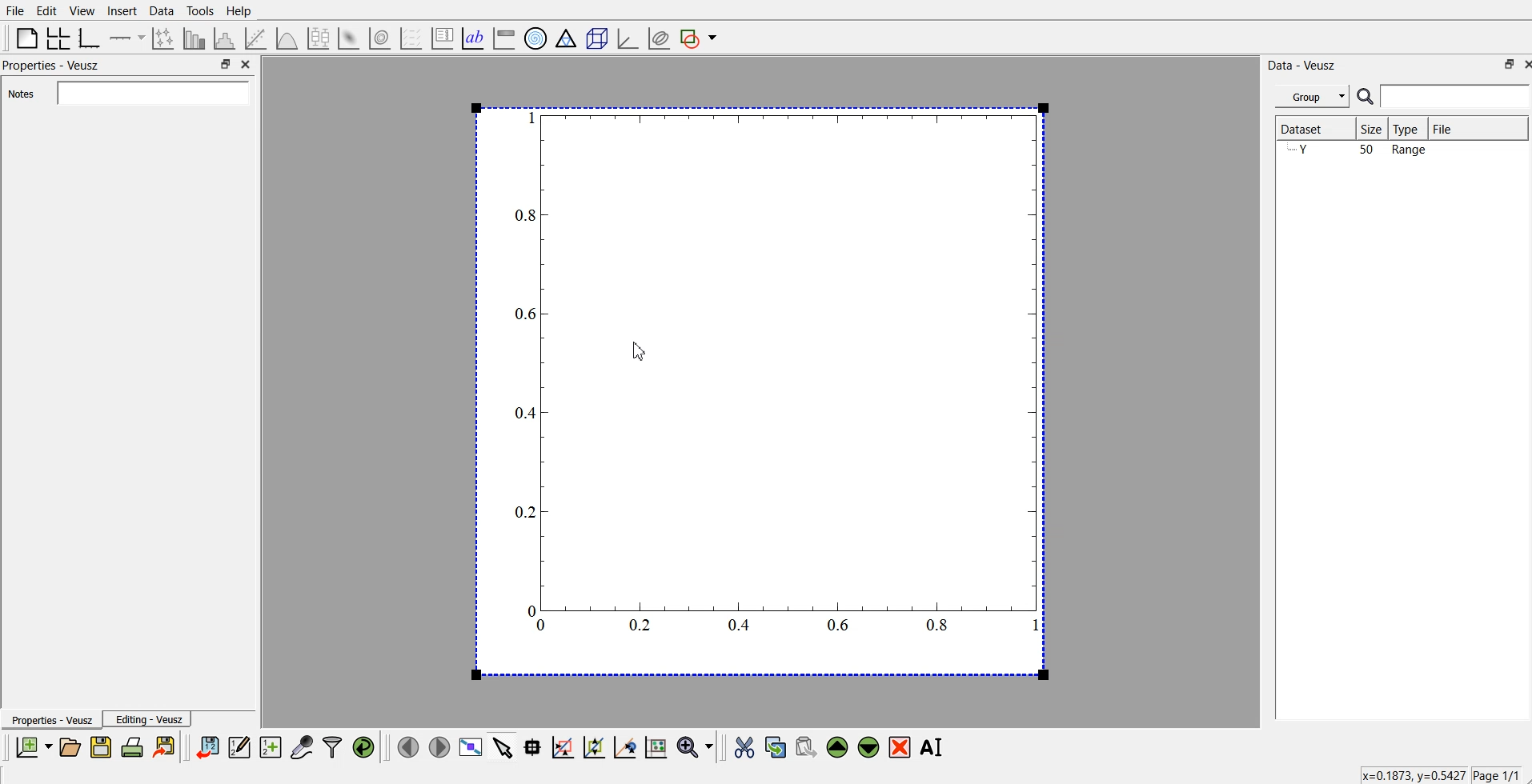 Image resolution: width=1532 pixels, height=784 pixels. Describe the element at coordinates (640, 350) in the screenshot. I see `cursor` at that location.